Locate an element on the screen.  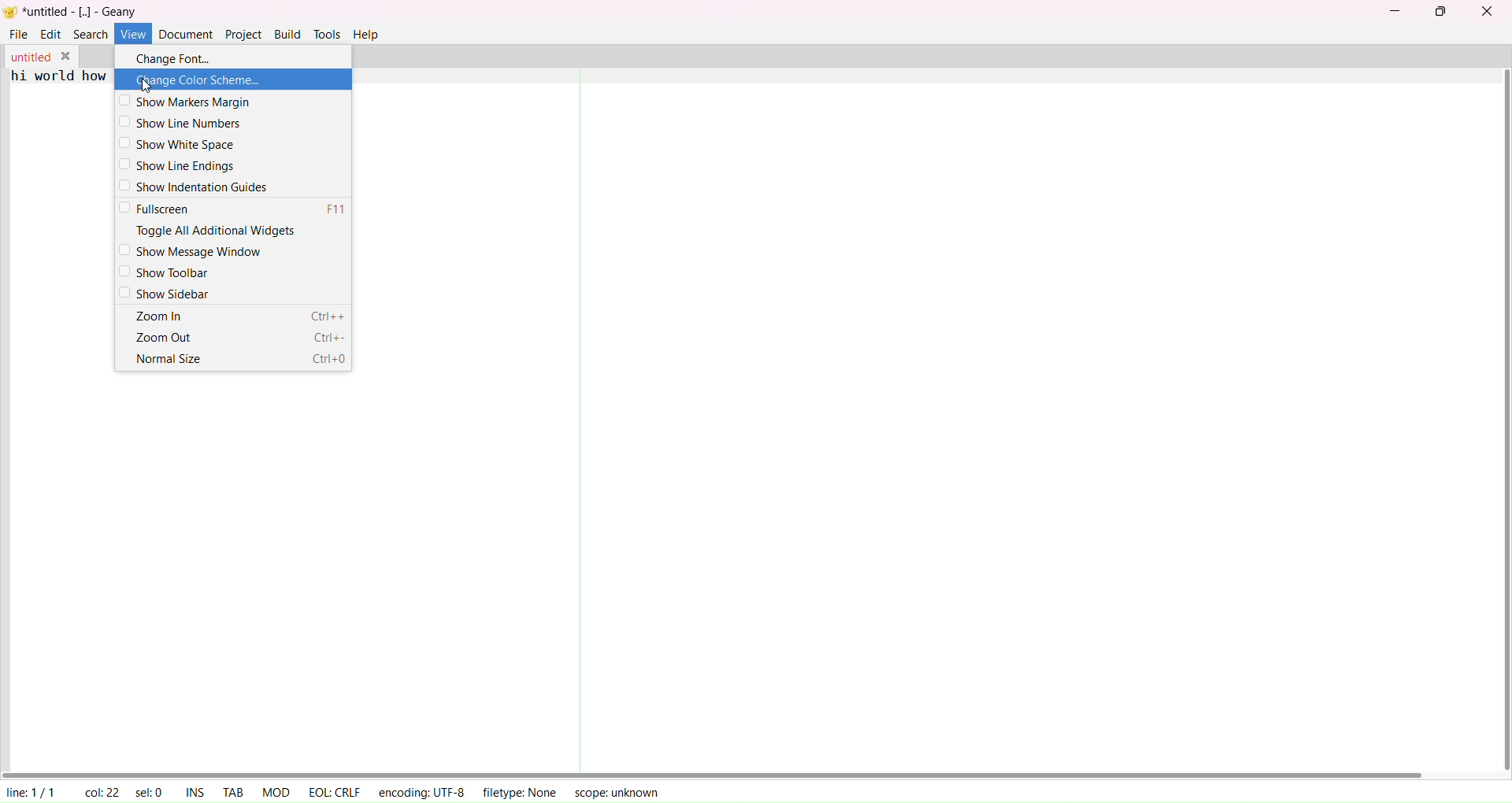
maximize is located at coordinates (1442, 12).